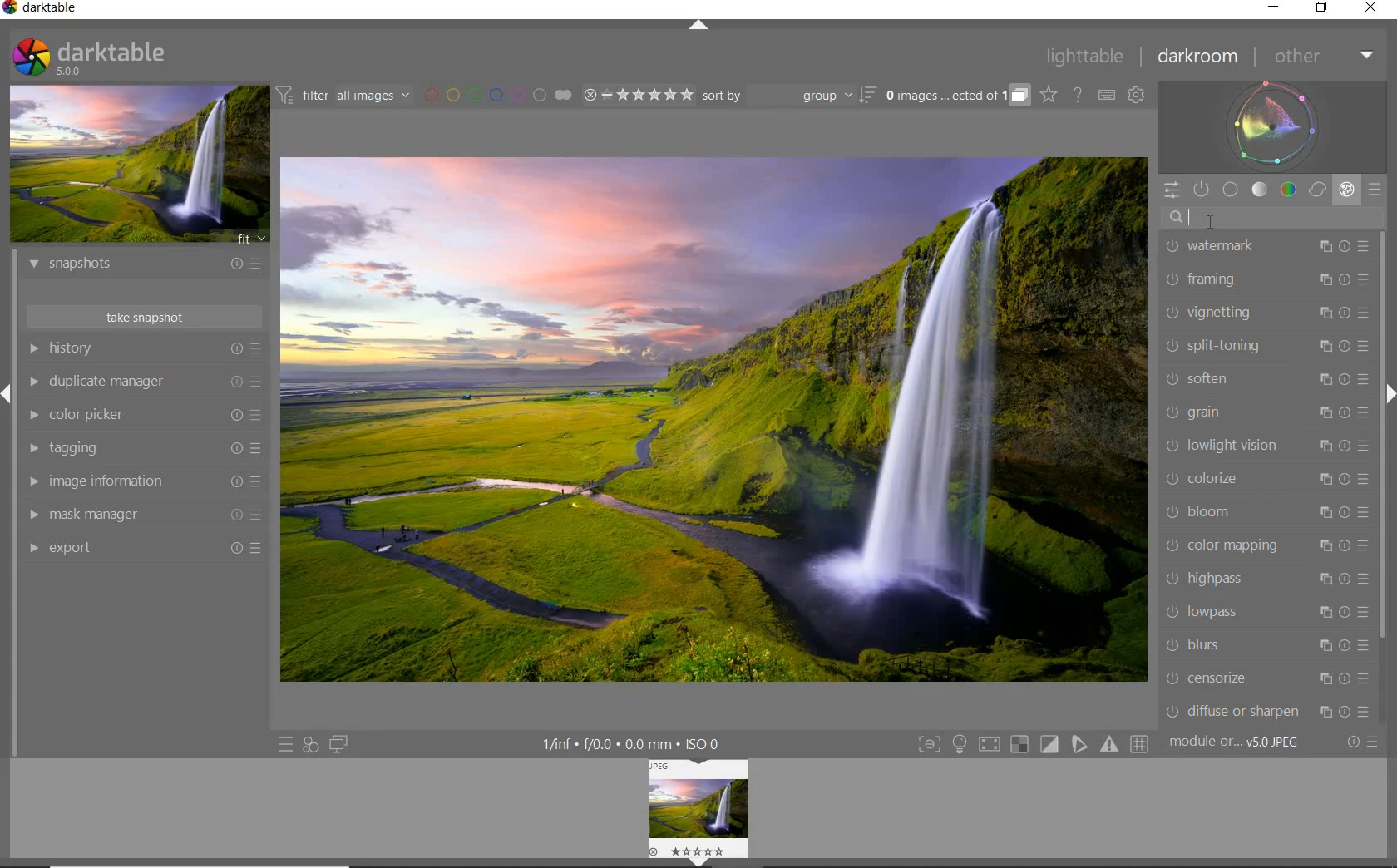 Image resolution: width=1397 pixels, height=868 pixels. What do you see at coordinates (635, 743) in the screenshot?
I see `DISPLAYED GUI INFO` at bounding box center [635, 743].